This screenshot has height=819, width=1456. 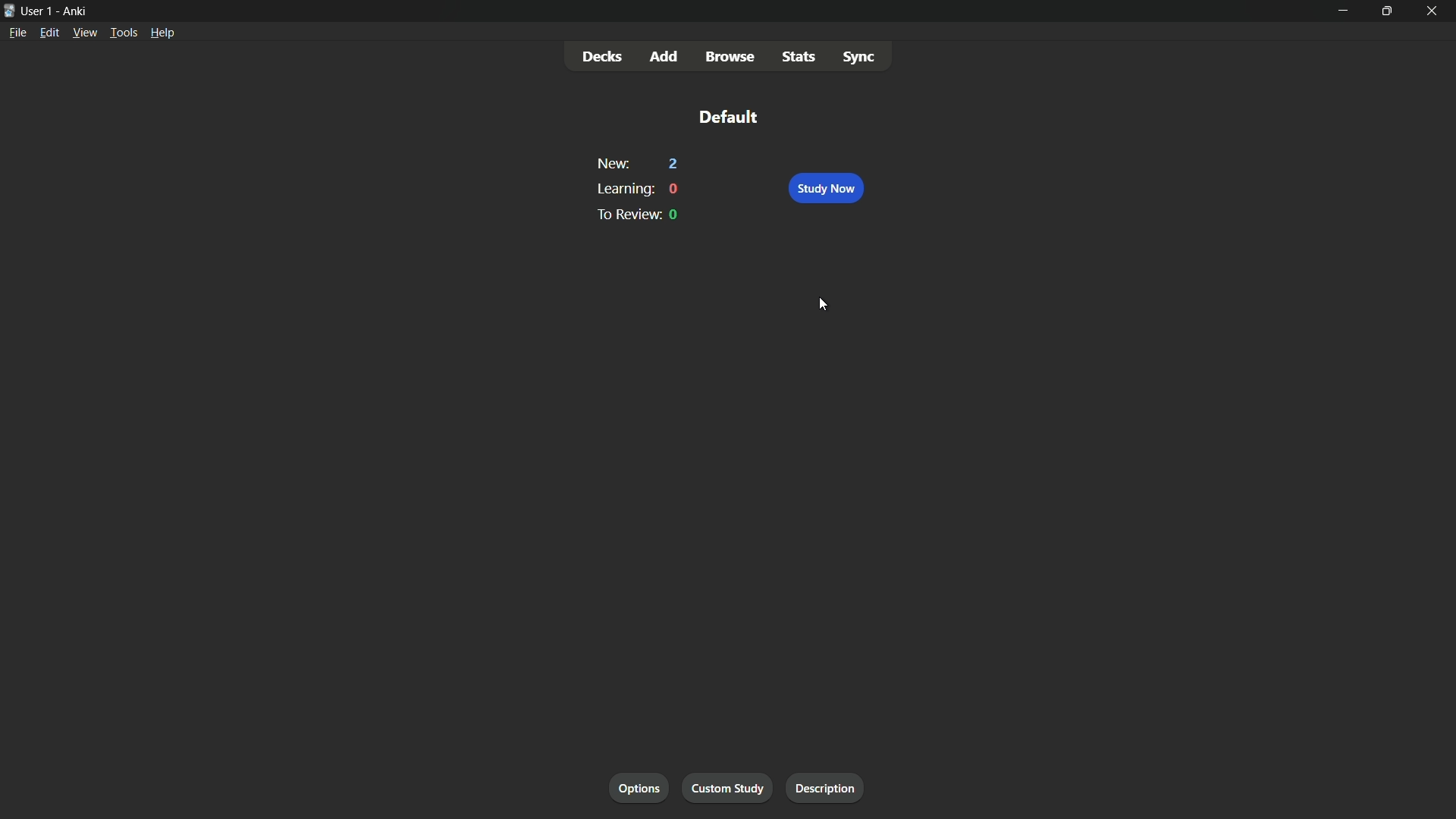 I want to click on file menu, so click(x=16, y=31).